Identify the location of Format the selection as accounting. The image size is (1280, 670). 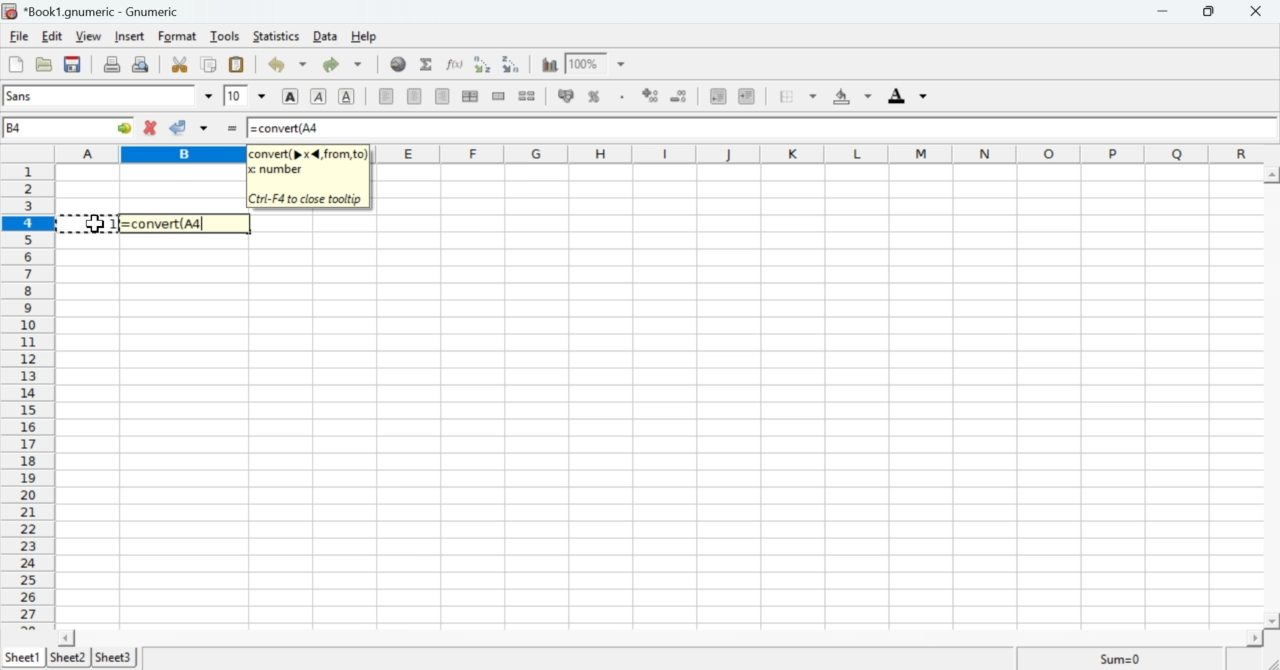
(566, 96).